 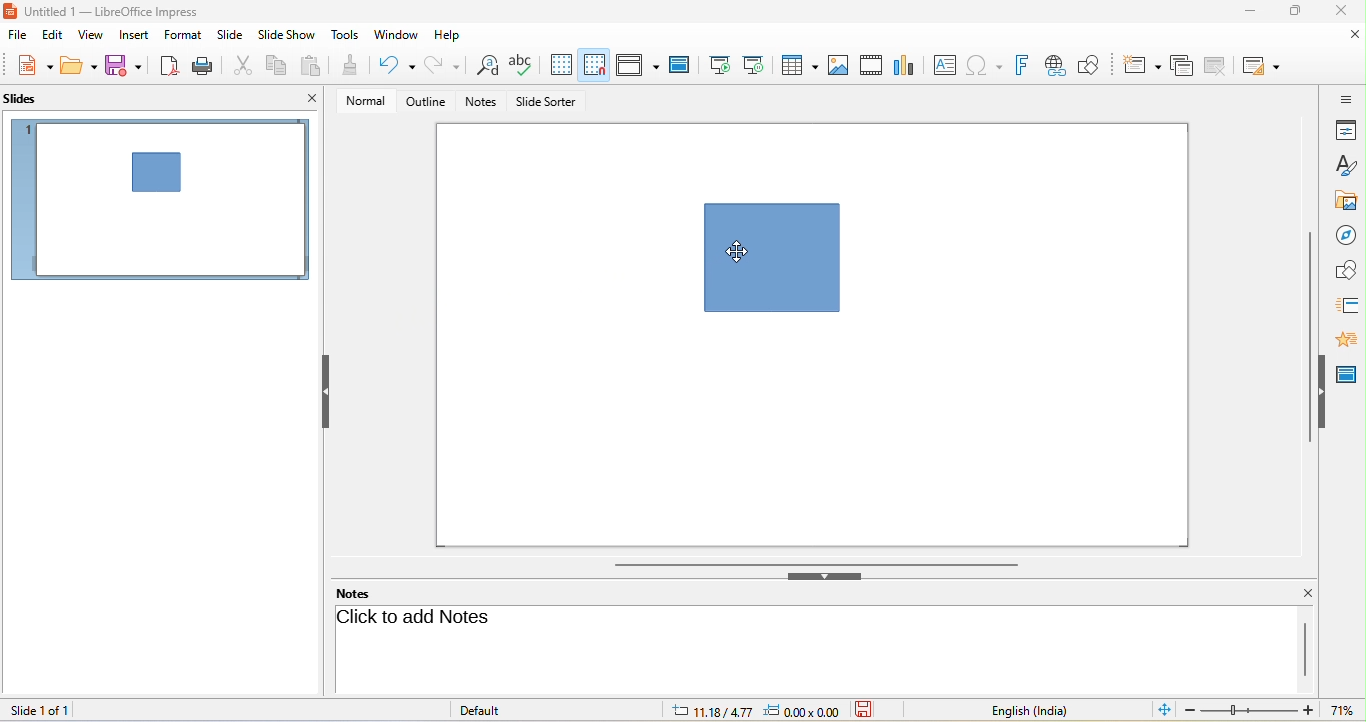 What do you see at coordinates (1346, 13) in the screenshot?
I see `close` at bounding box center [1346, 13].